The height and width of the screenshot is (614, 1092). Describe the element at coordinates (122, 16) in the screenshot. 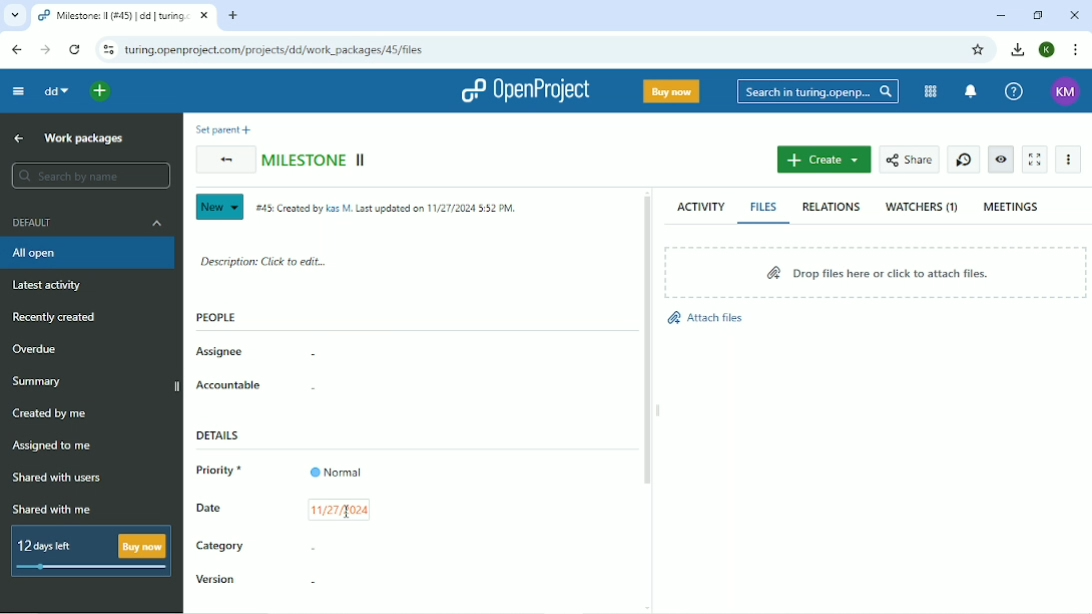

I see `Current tab` at that location.